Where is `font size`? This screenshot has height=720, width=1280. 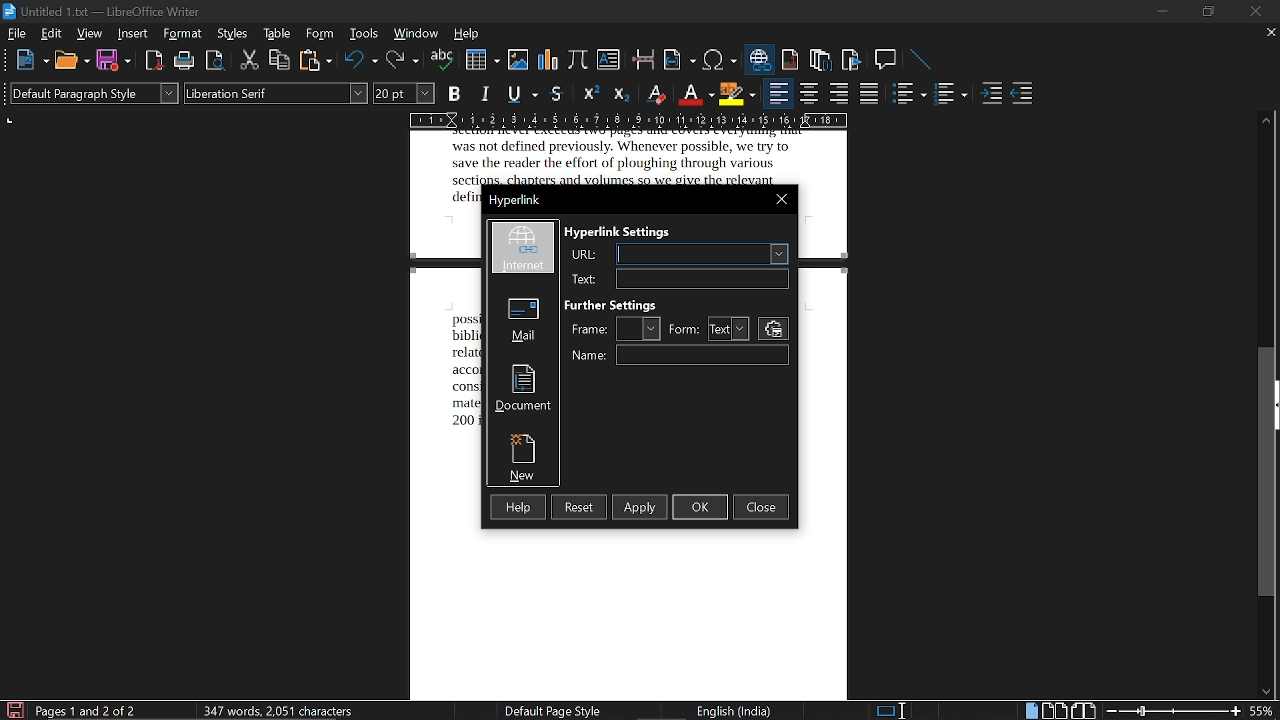 font size is located at coordinates (405, 93).